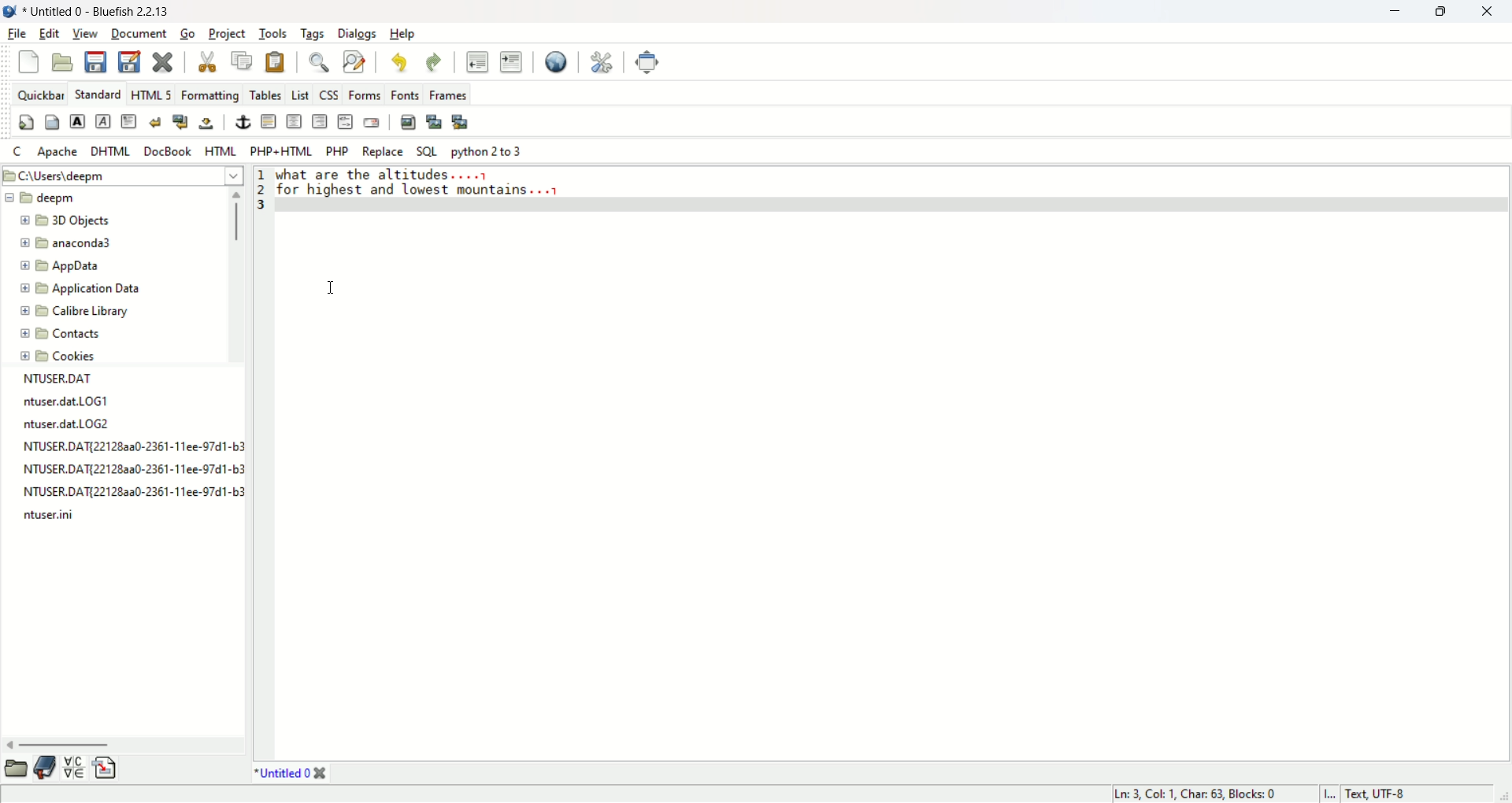 The image size is (1512, 803). I want to click on insert thumbnail, so click(432, 120).